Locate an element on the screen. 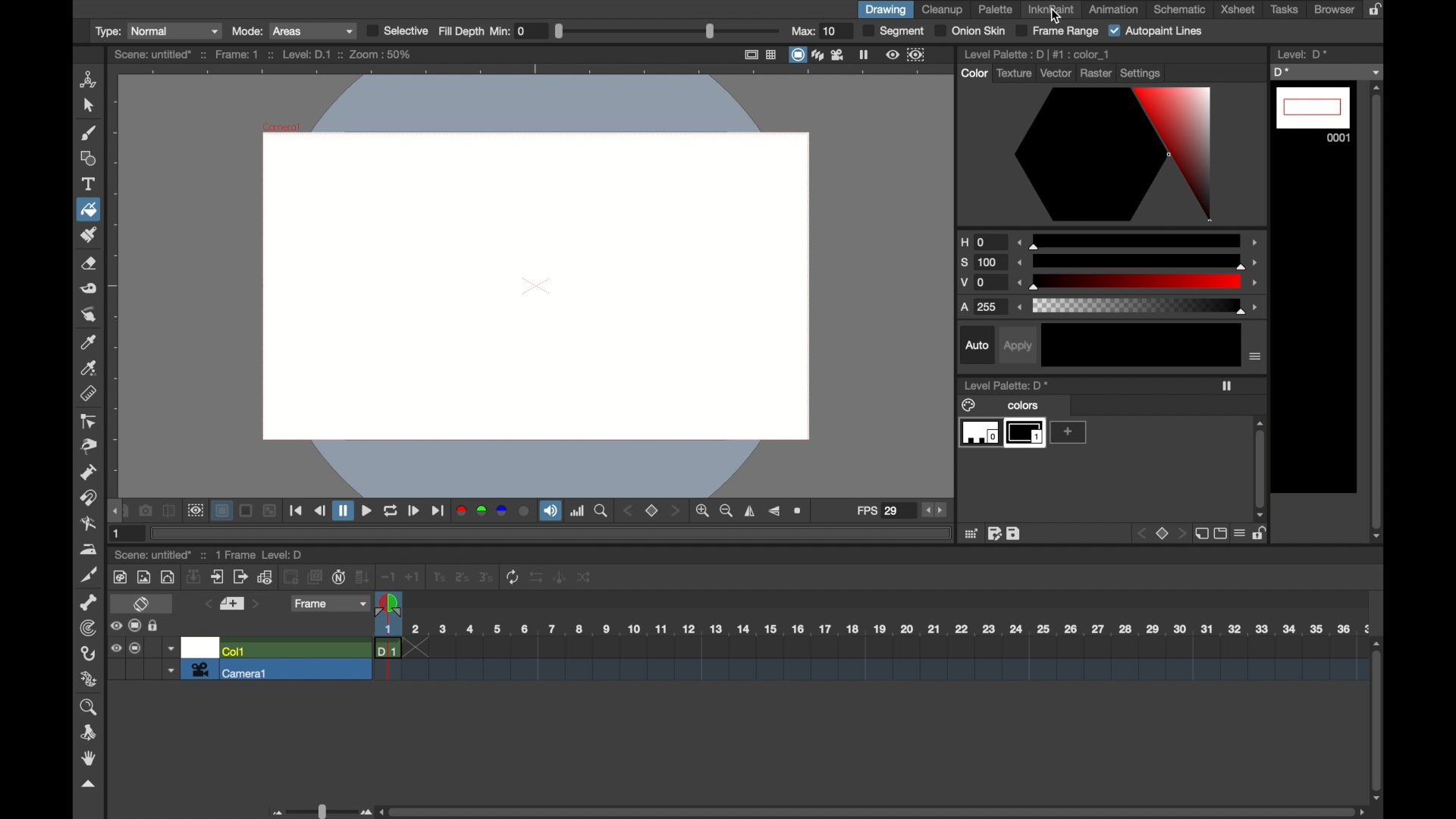 The height and width of the screenshot is (819, 1456). frame is located at coordinates (331, 604).